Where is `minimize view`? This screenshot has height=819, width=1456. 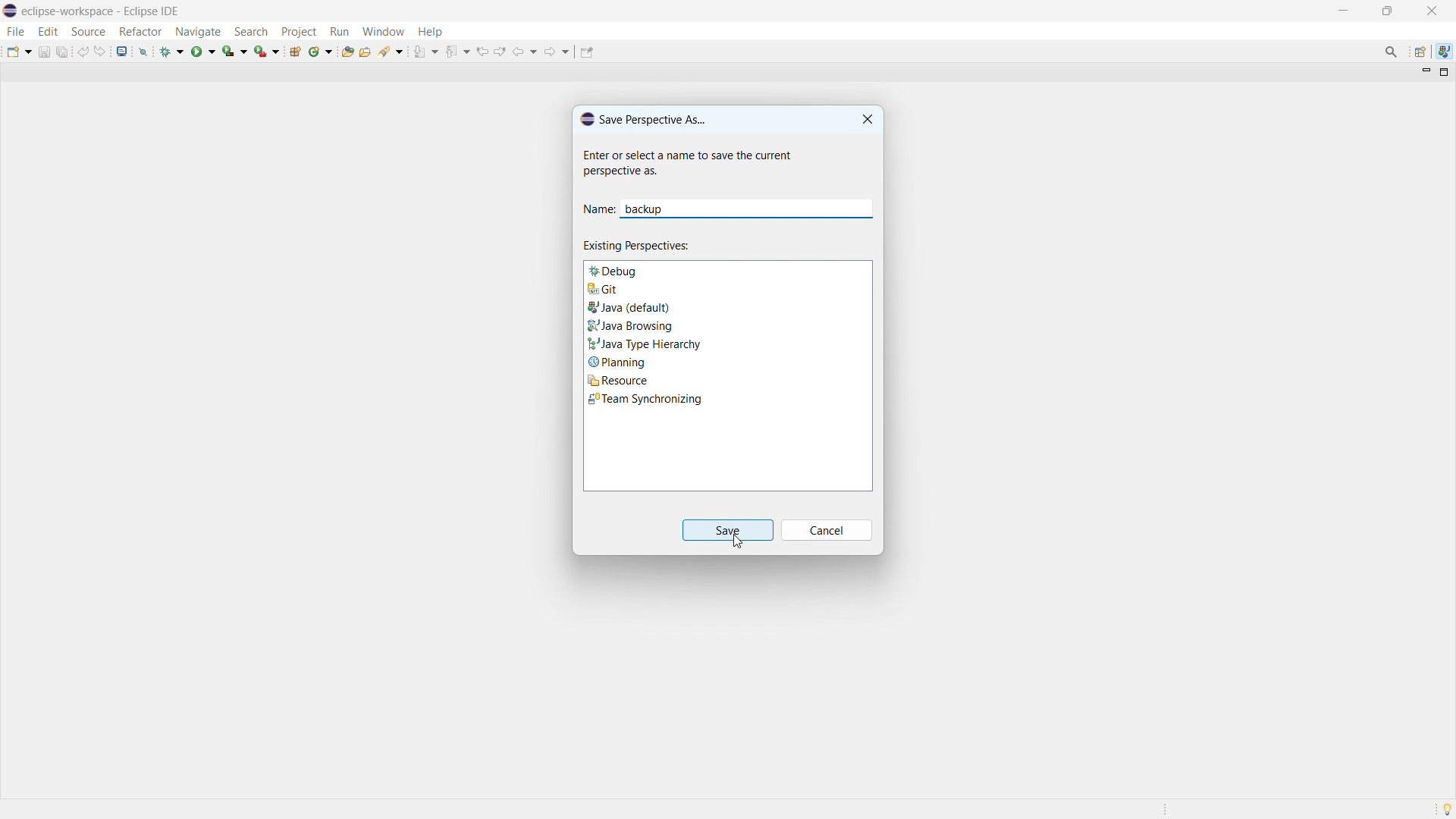 minimize view is located at coordinates (1424, 73).